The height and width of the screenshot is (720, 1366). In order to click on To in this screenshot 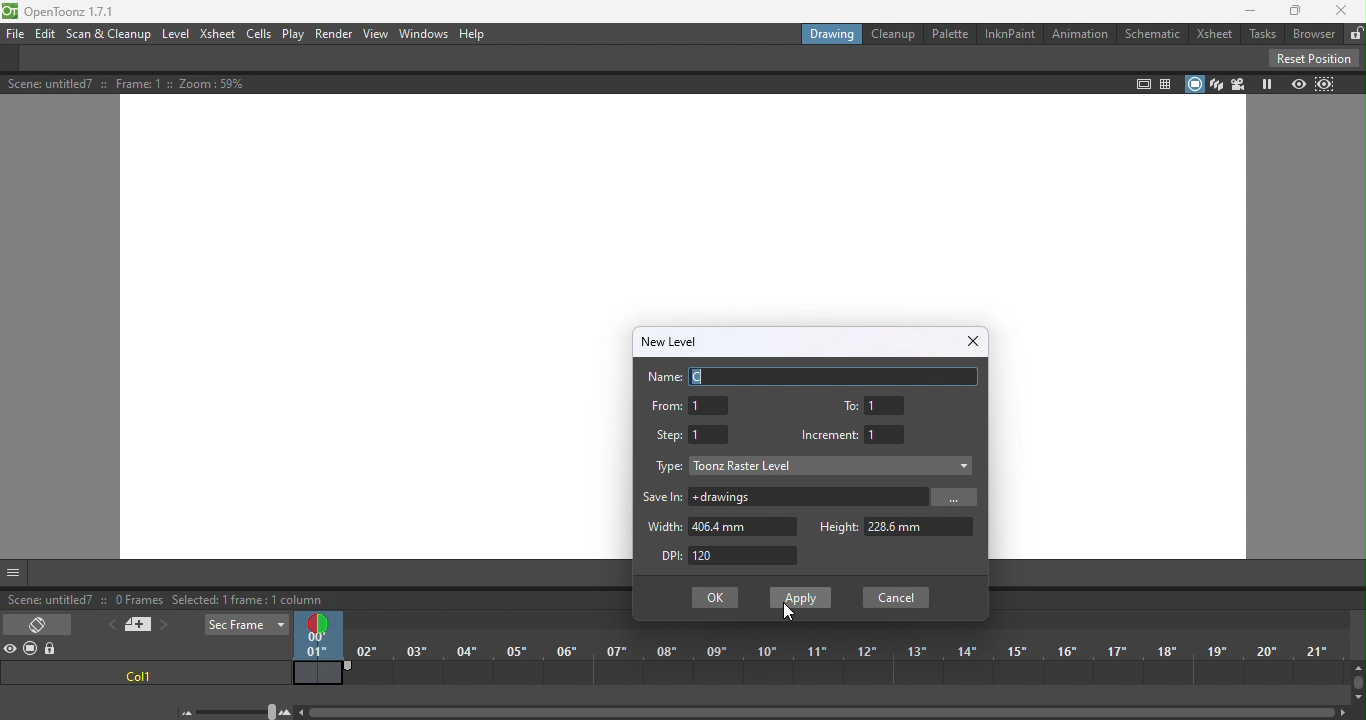, I will do `click(876, 404)`.